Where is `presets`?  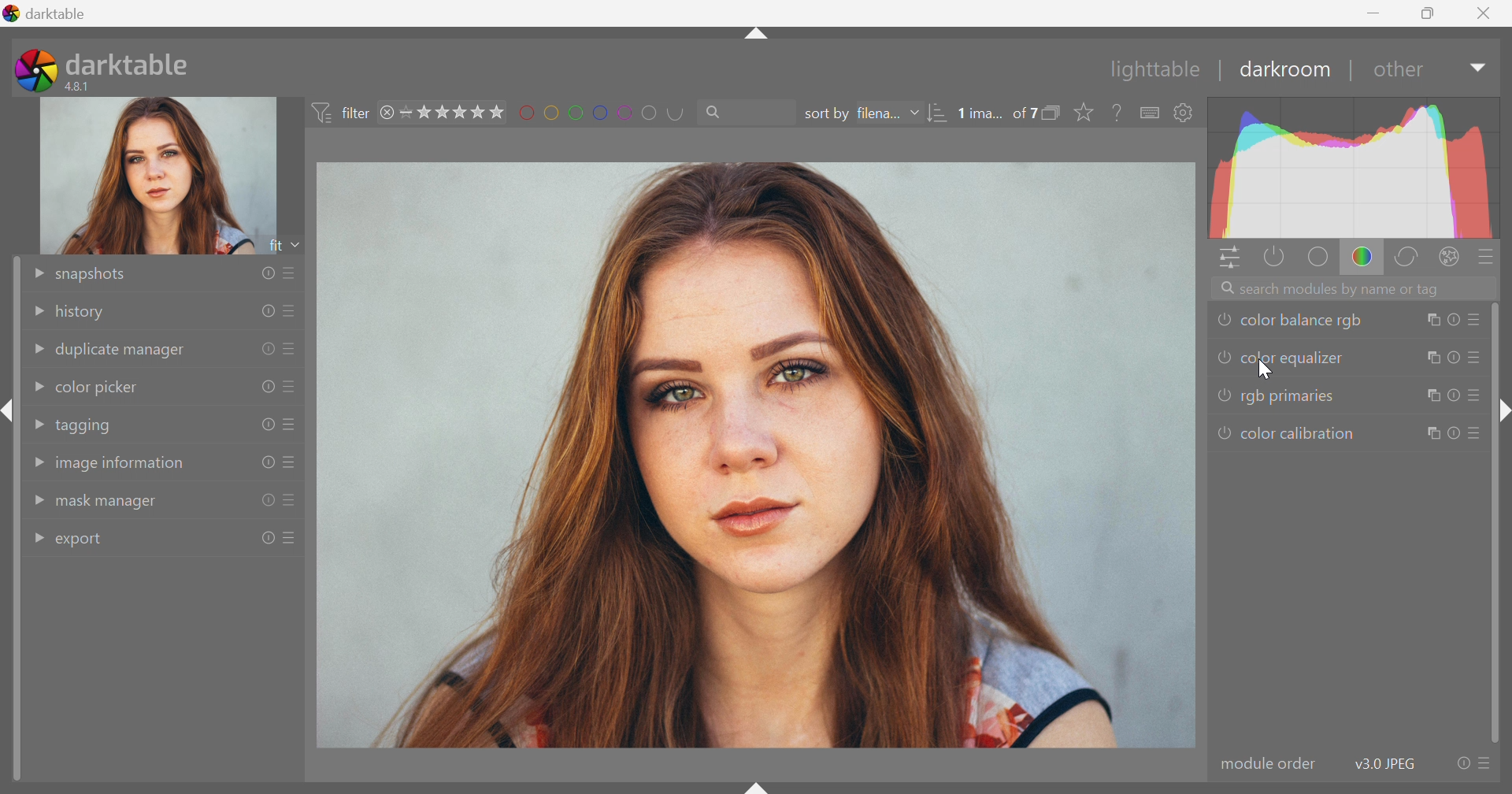 presets is located at coordinates (291, 463).